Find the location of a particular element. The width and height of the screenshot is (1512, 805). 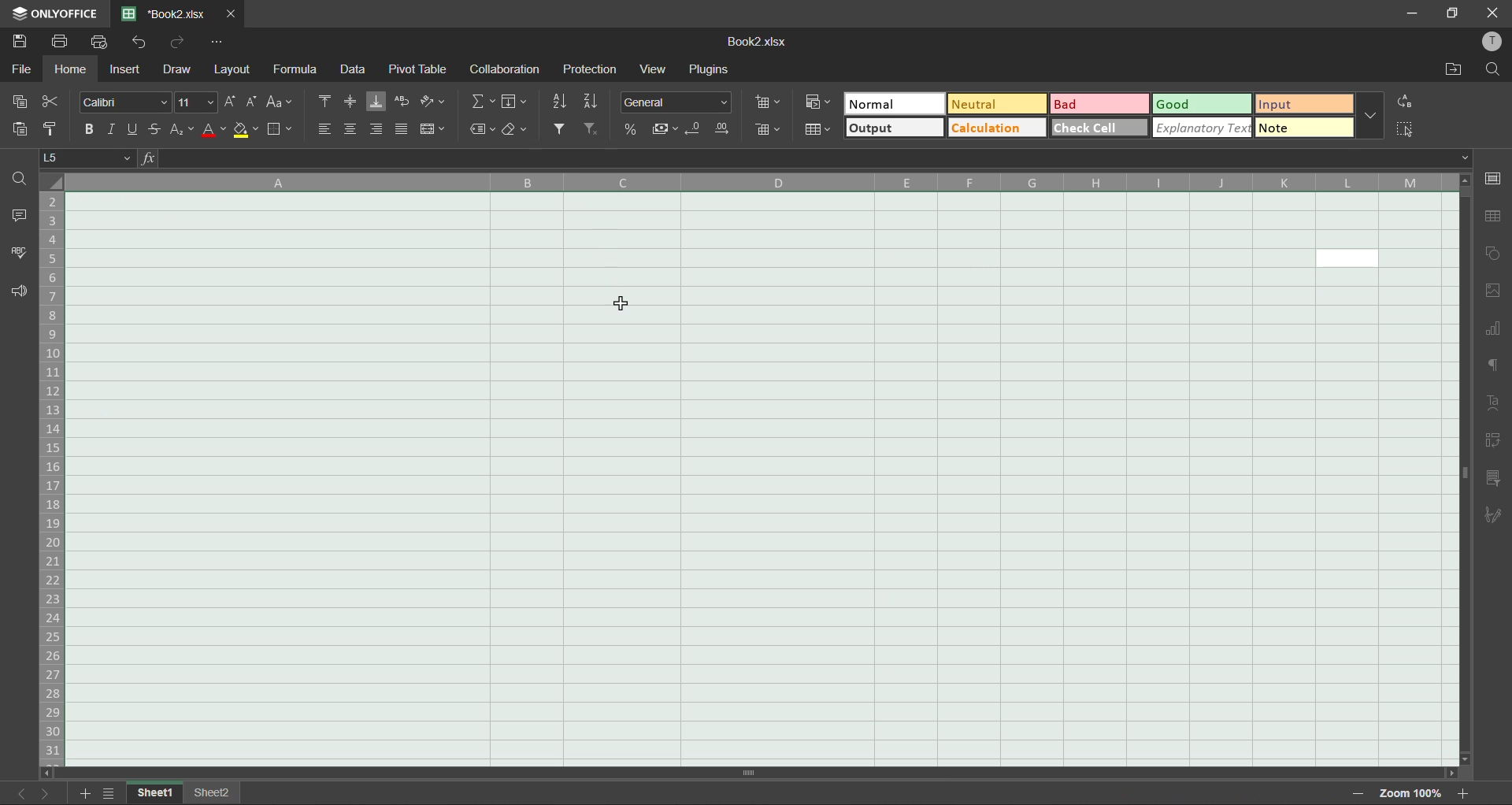

good is located at coordinates (1203, 105).